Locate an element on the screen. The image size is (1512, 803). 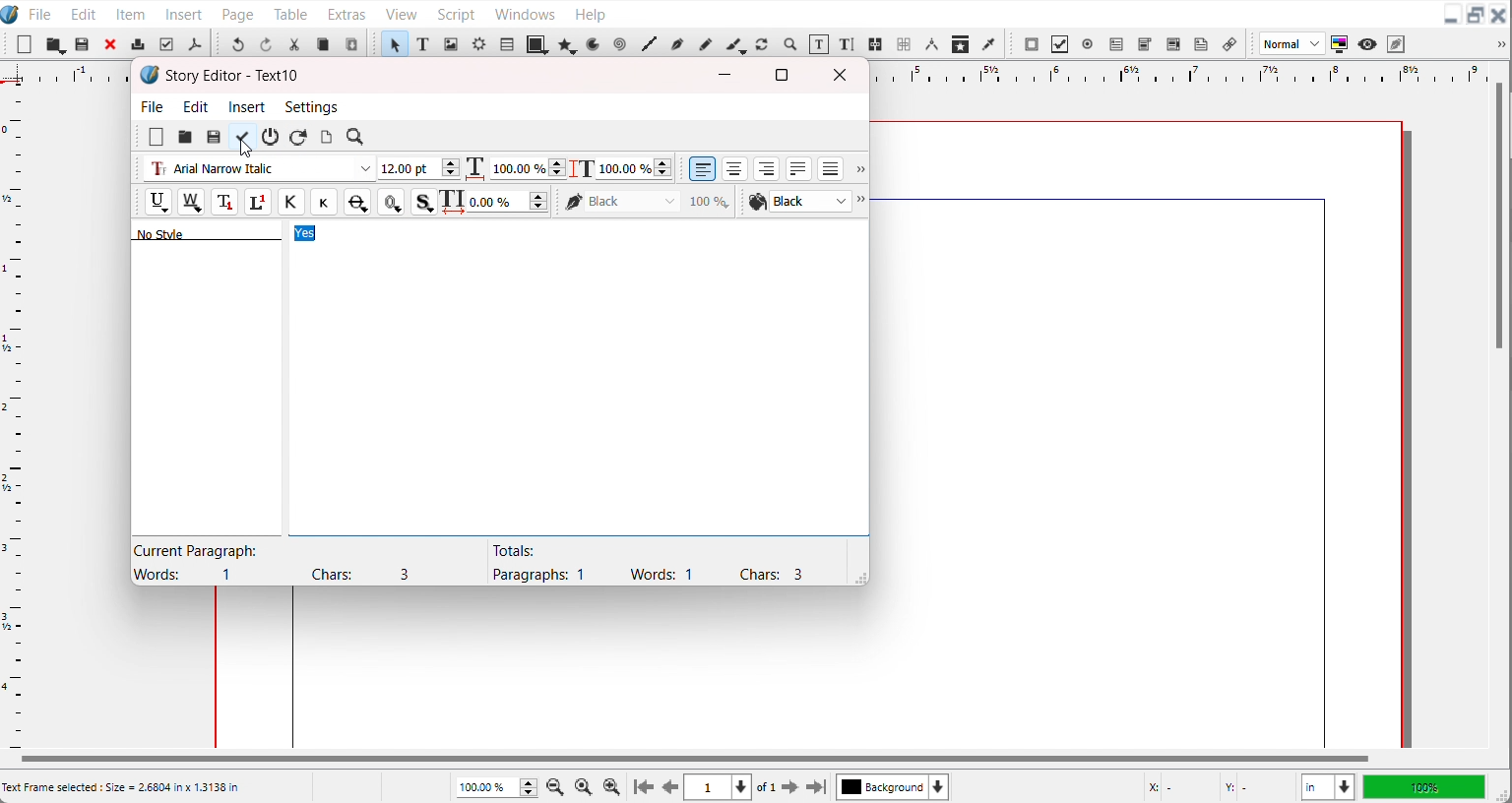
Measurements in inches is located at coordinates (1328, 787).